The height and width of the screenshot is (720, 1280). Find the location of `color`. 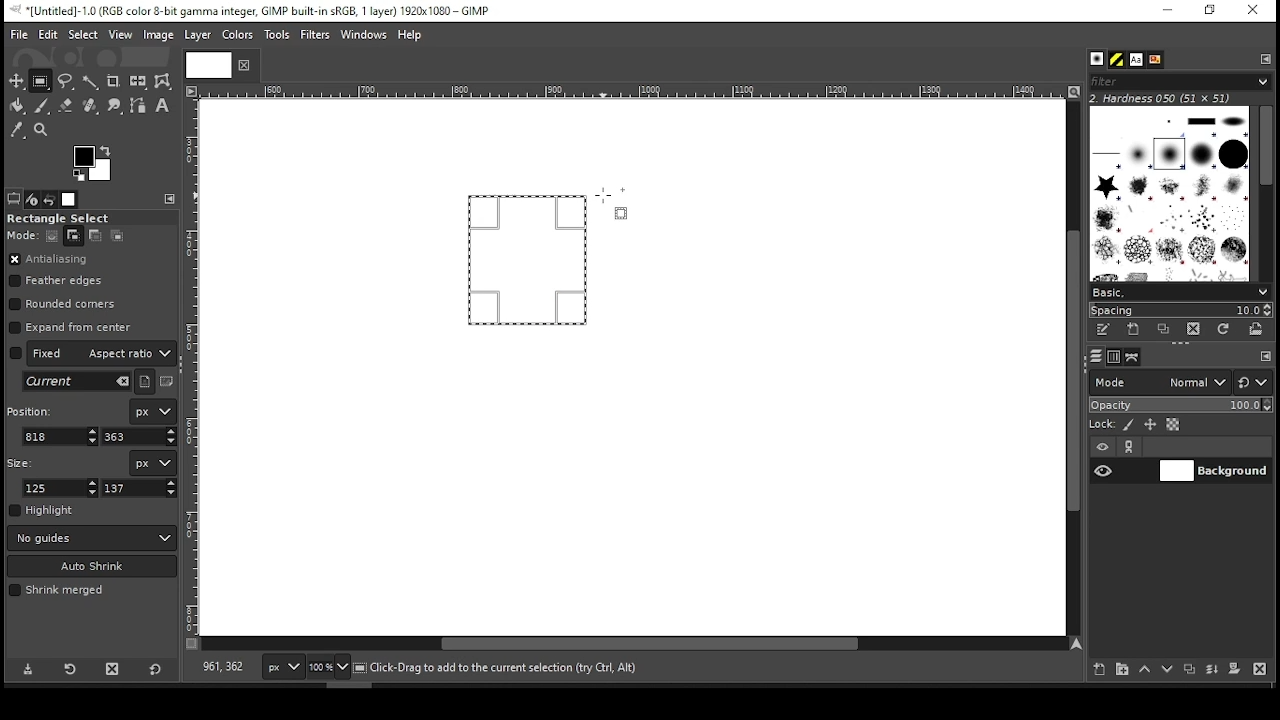

color is located at coordinates (238, 34).